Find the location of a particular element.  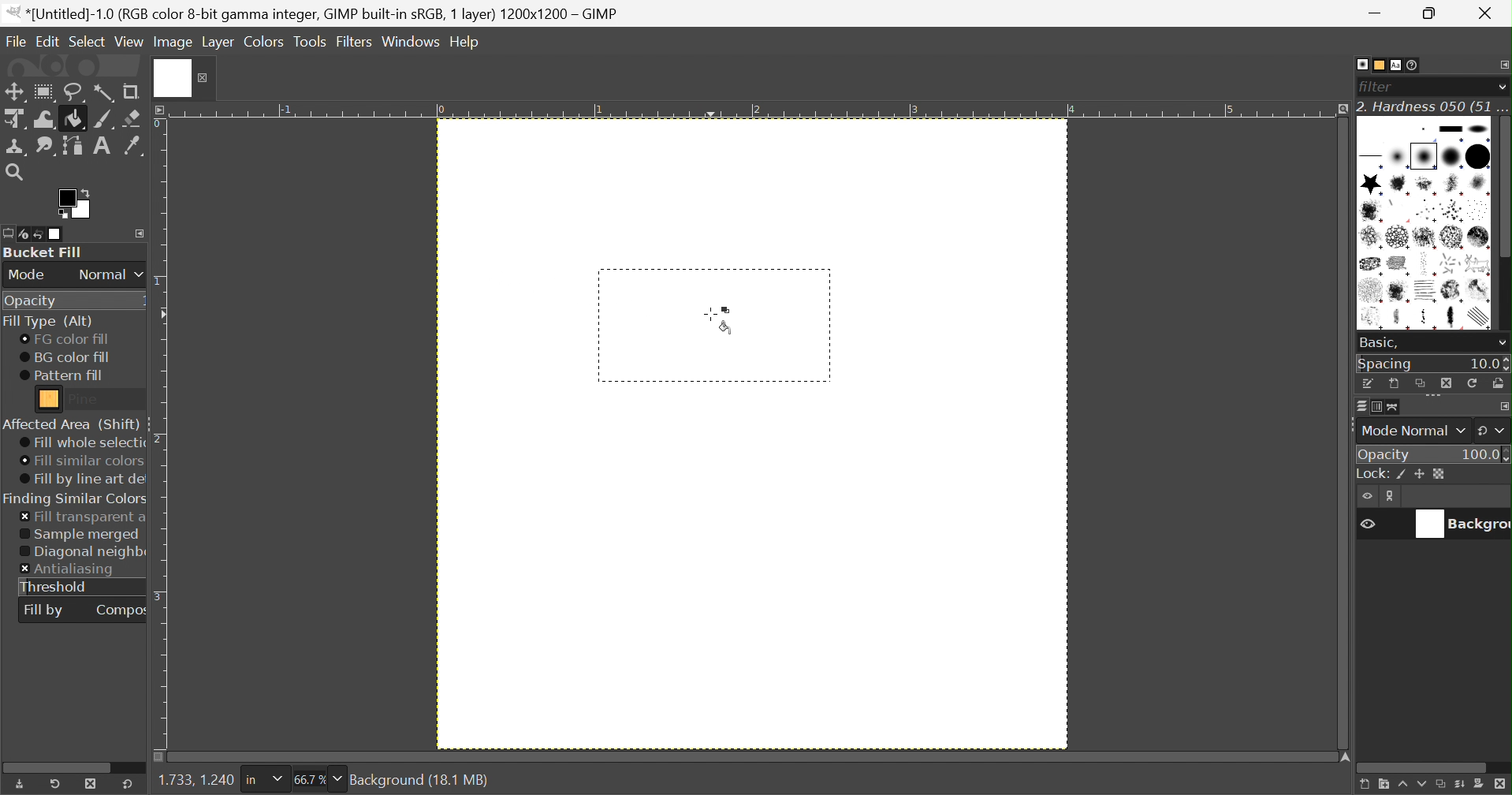

Color Picker Tool is located at coordinates (132, 145).